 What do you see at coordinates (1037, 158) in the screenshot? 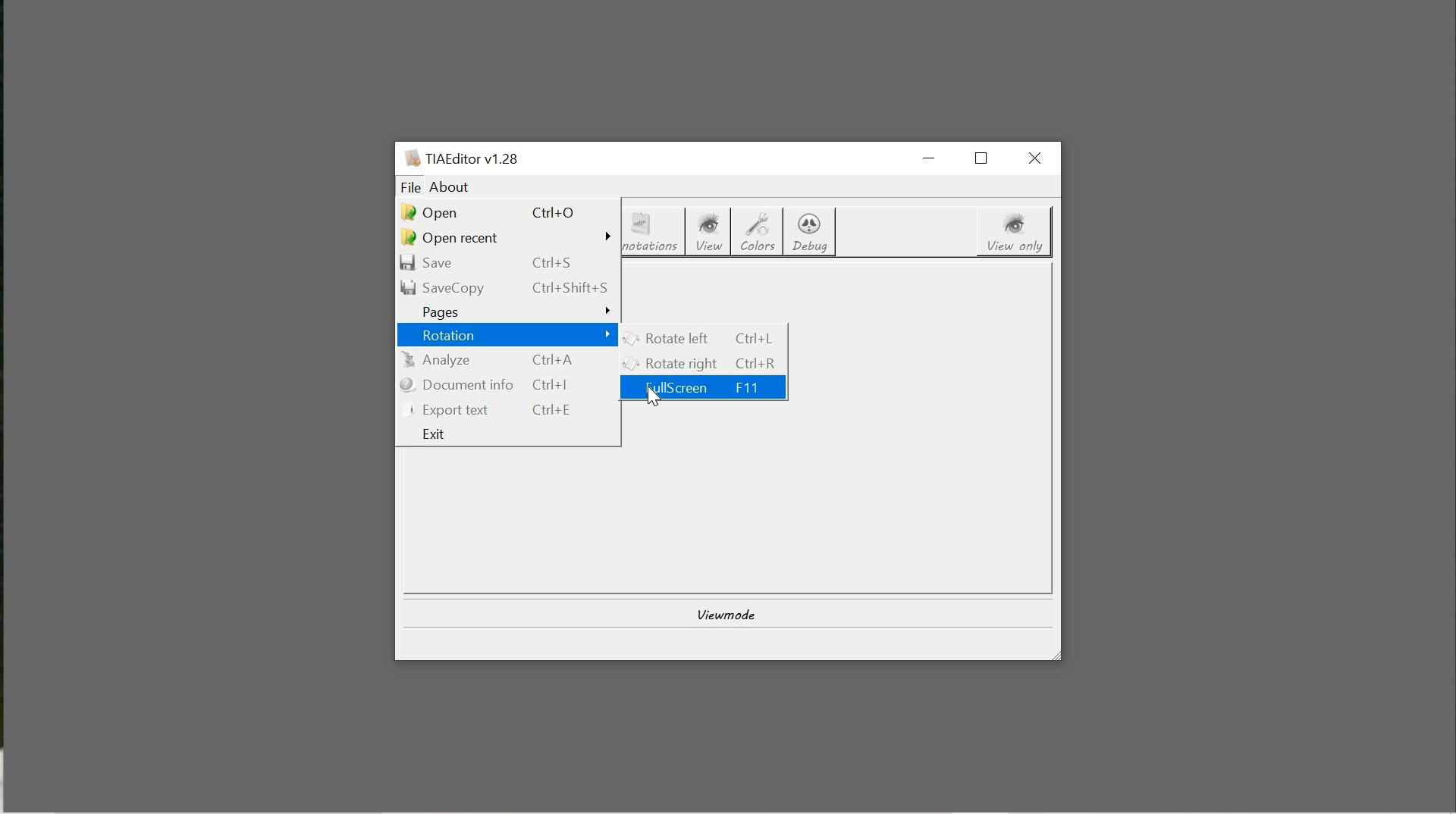
I see `close` at bounding box center [1037, 158].